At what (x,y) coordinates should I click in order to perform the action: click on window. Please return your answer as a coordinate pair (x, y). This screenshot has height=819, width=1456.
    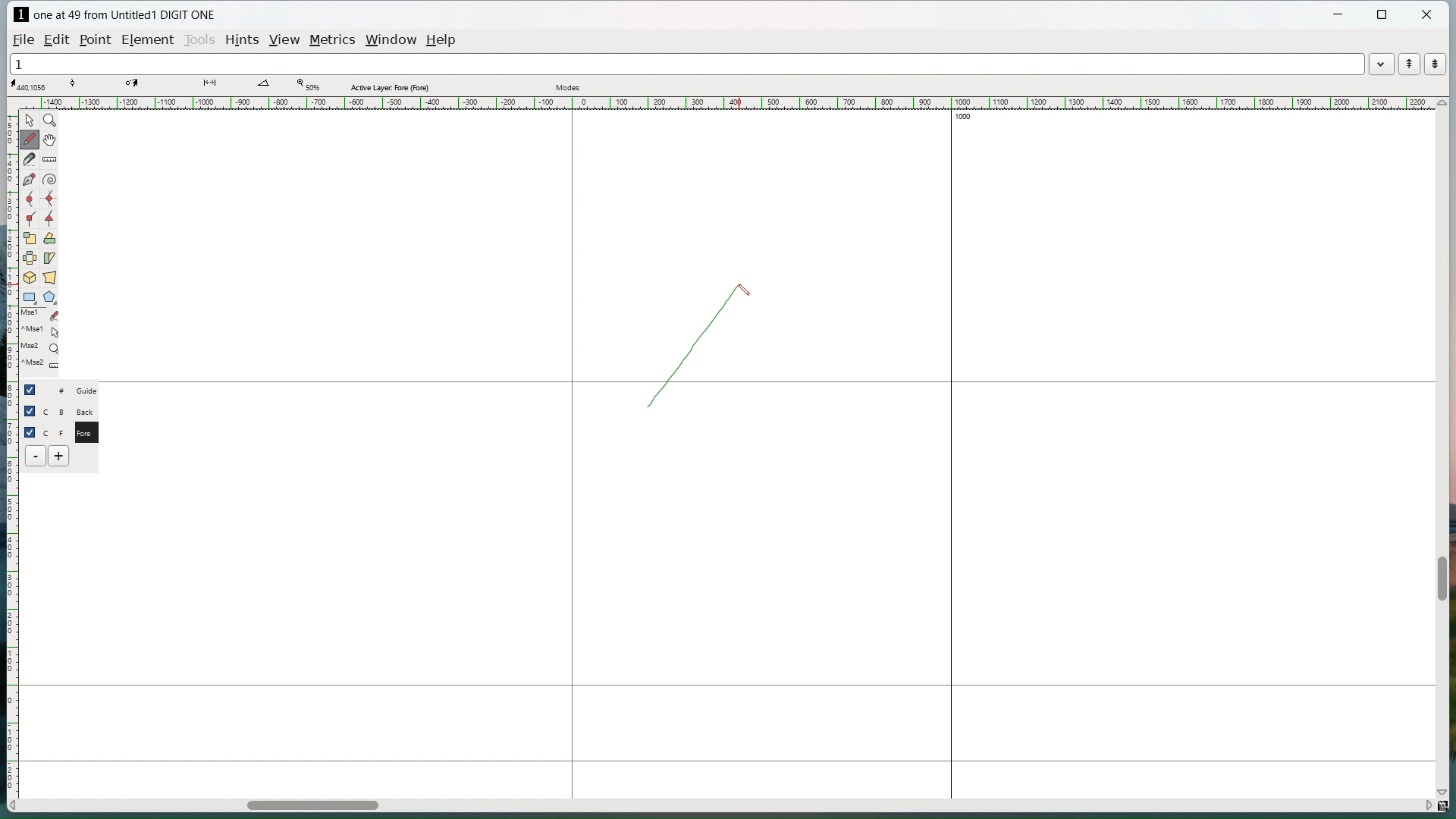
    Looking at the image, I should click on (393, 39).